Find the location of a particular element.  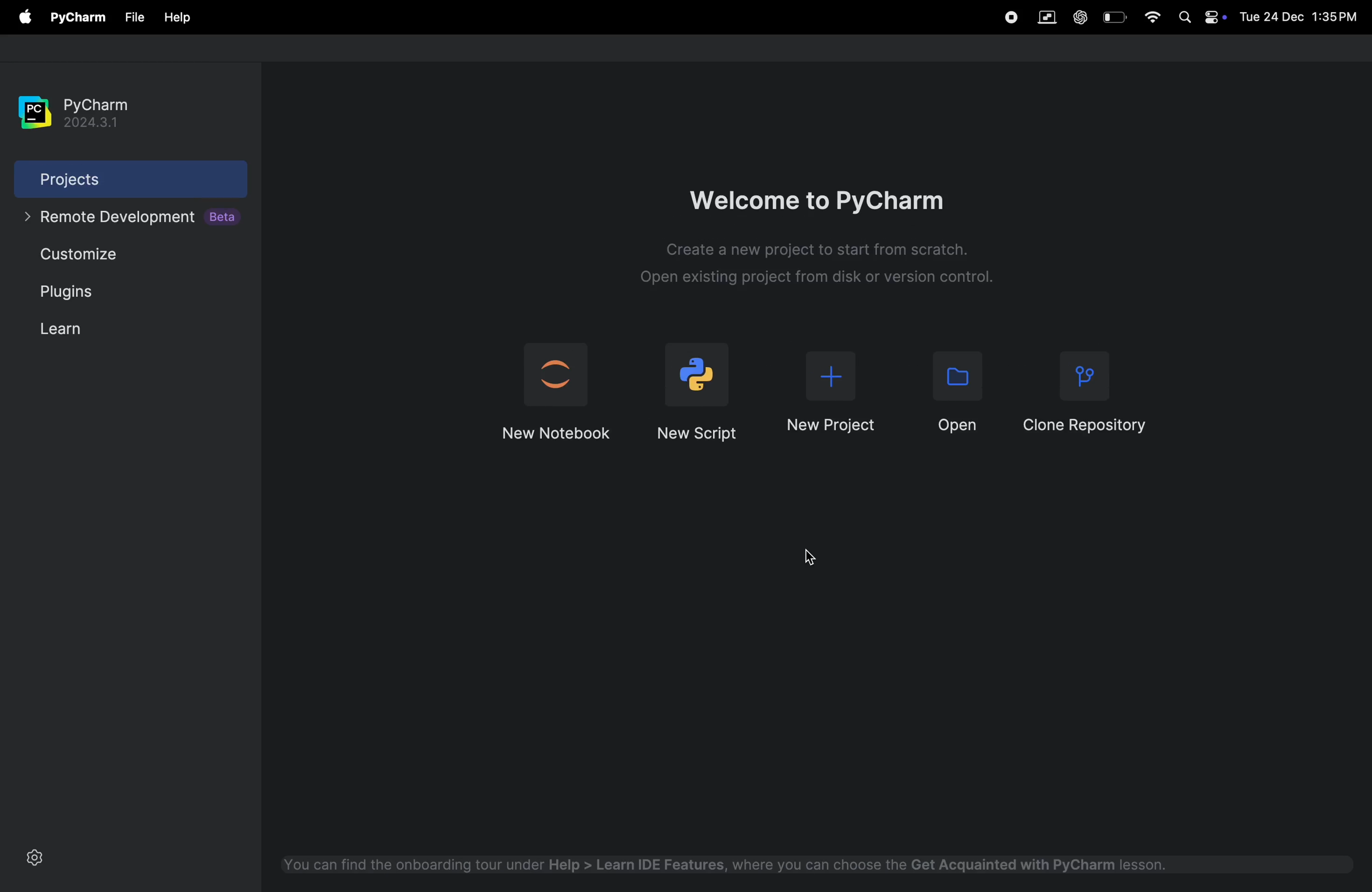

parallel space is located at coordinates (1043, 18).